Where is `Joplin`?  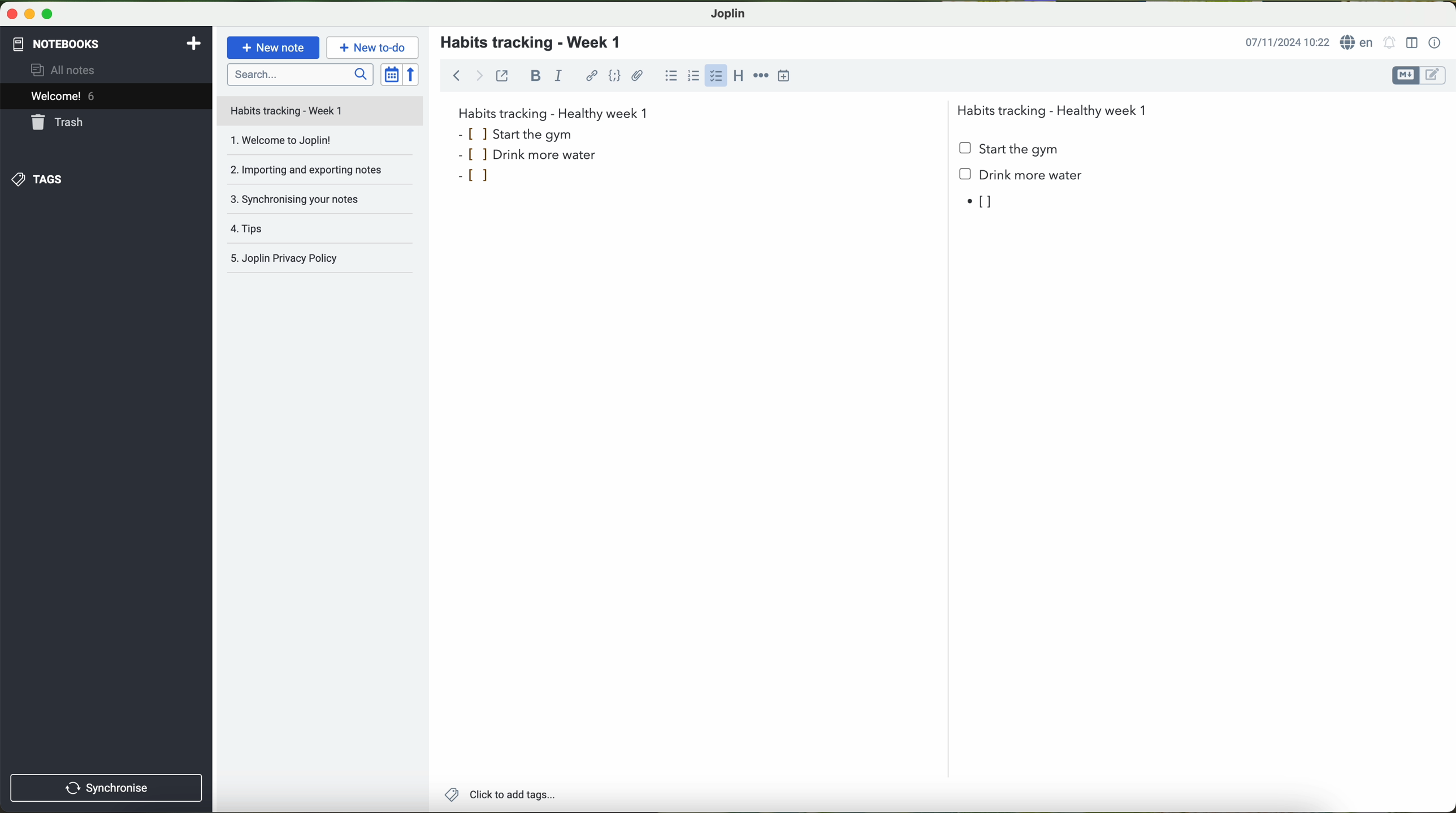 Joplin is located at coordinates (727, 14).